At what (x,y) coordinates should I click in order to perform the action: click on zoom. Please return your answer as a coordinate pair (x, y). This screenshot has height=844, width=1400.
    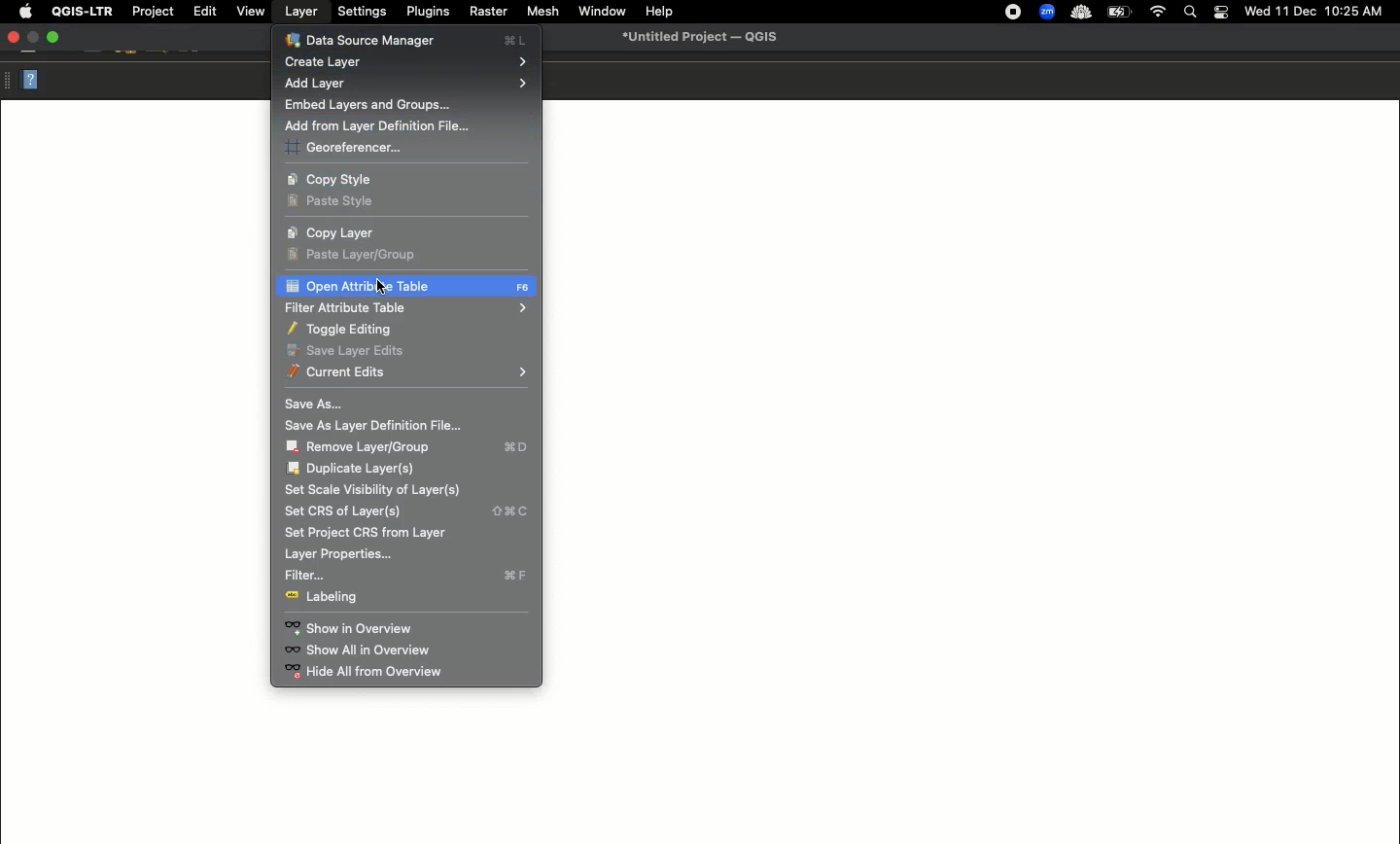
    Looking at the image, I should click on (1045, 11).